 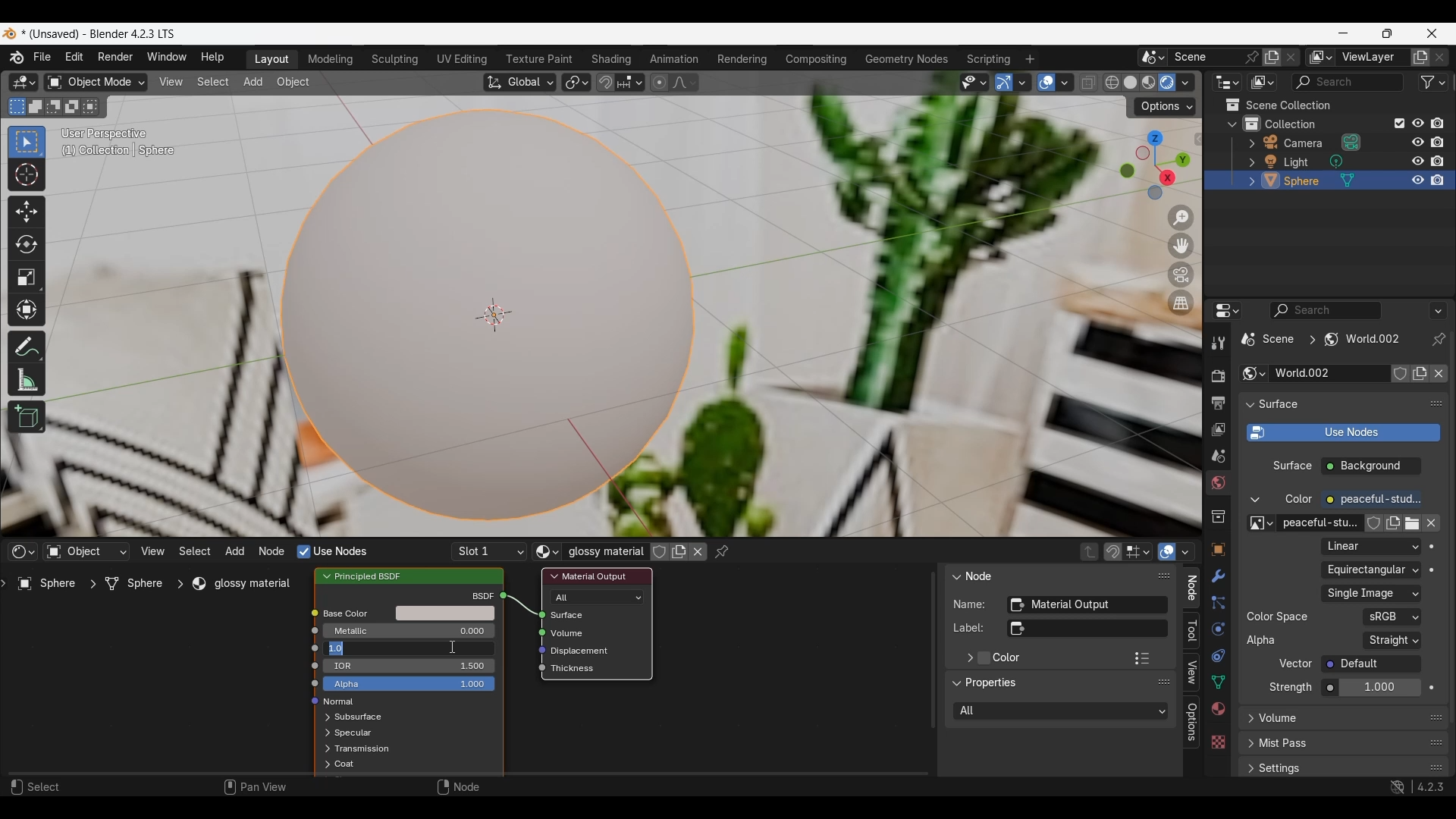 What do you see at coordinates (1167, 82) in the screenshot?
I see `Viewport shading: rendered` at bounding box center [1167, 82].